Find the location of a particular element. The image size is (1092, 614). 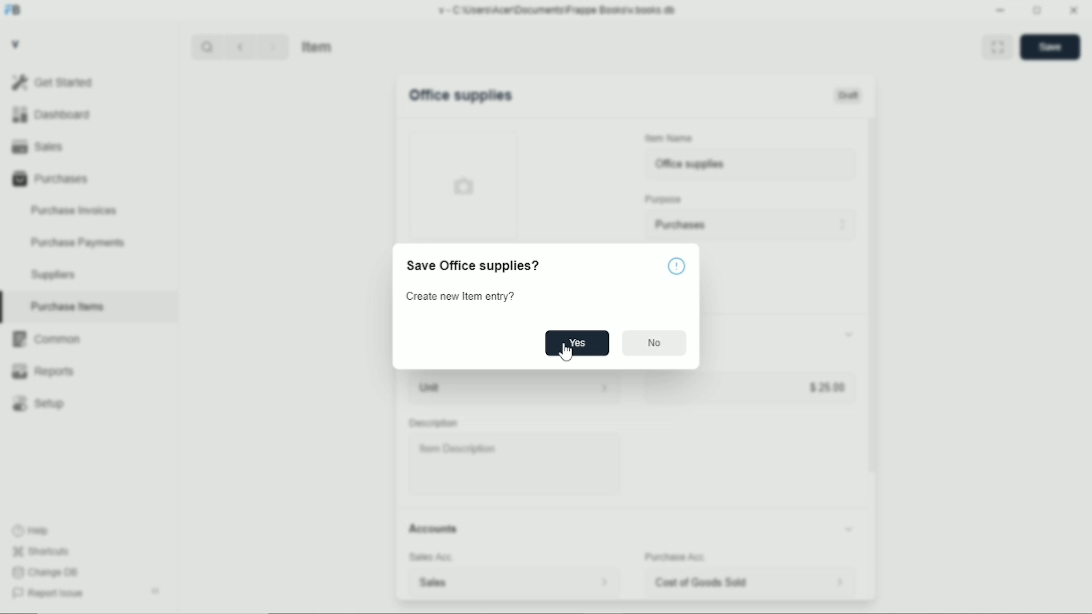

help is located at coordinates (32, 531).